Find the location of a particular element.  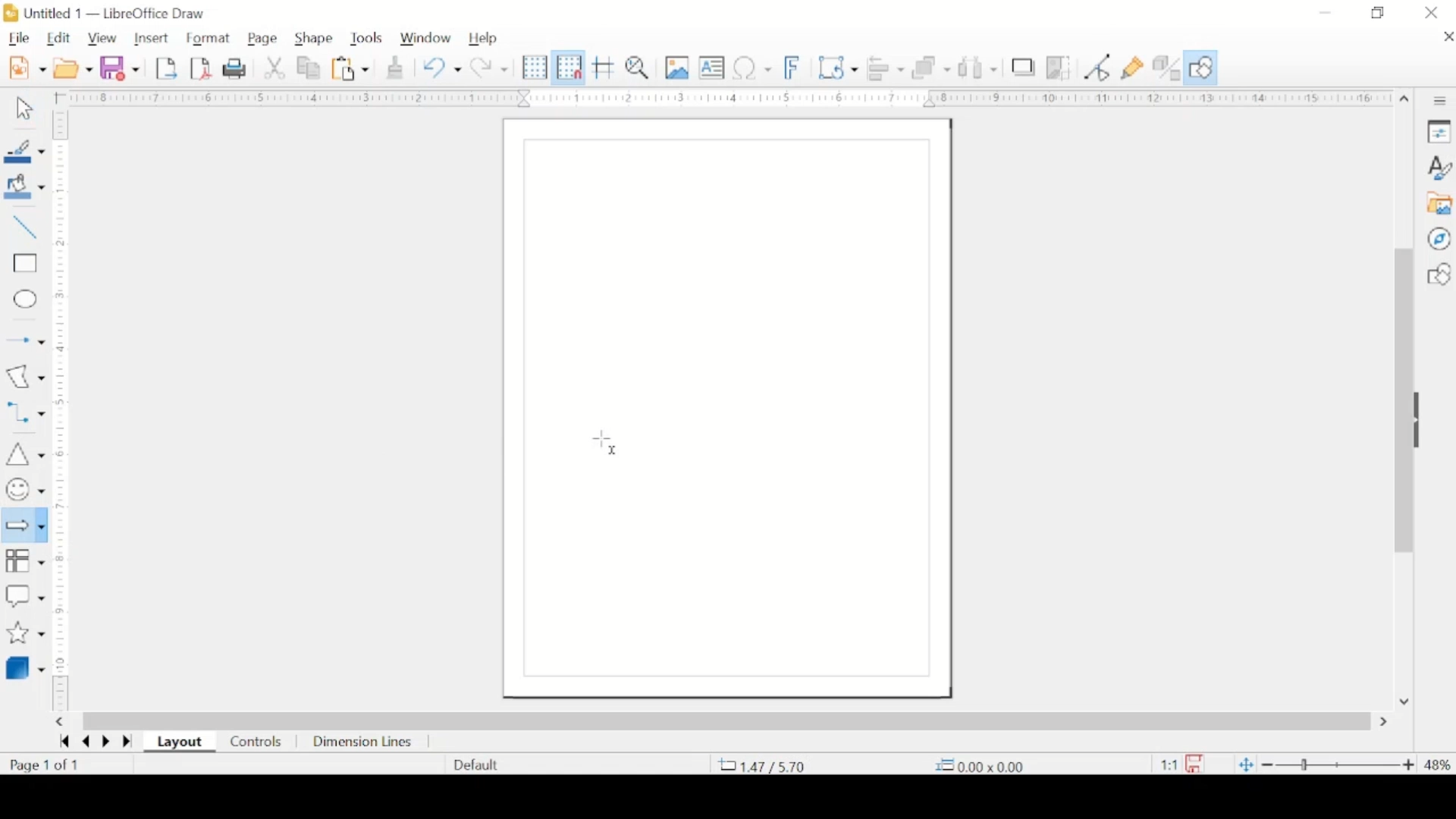

scroll left is located at coordinates (58, 722).